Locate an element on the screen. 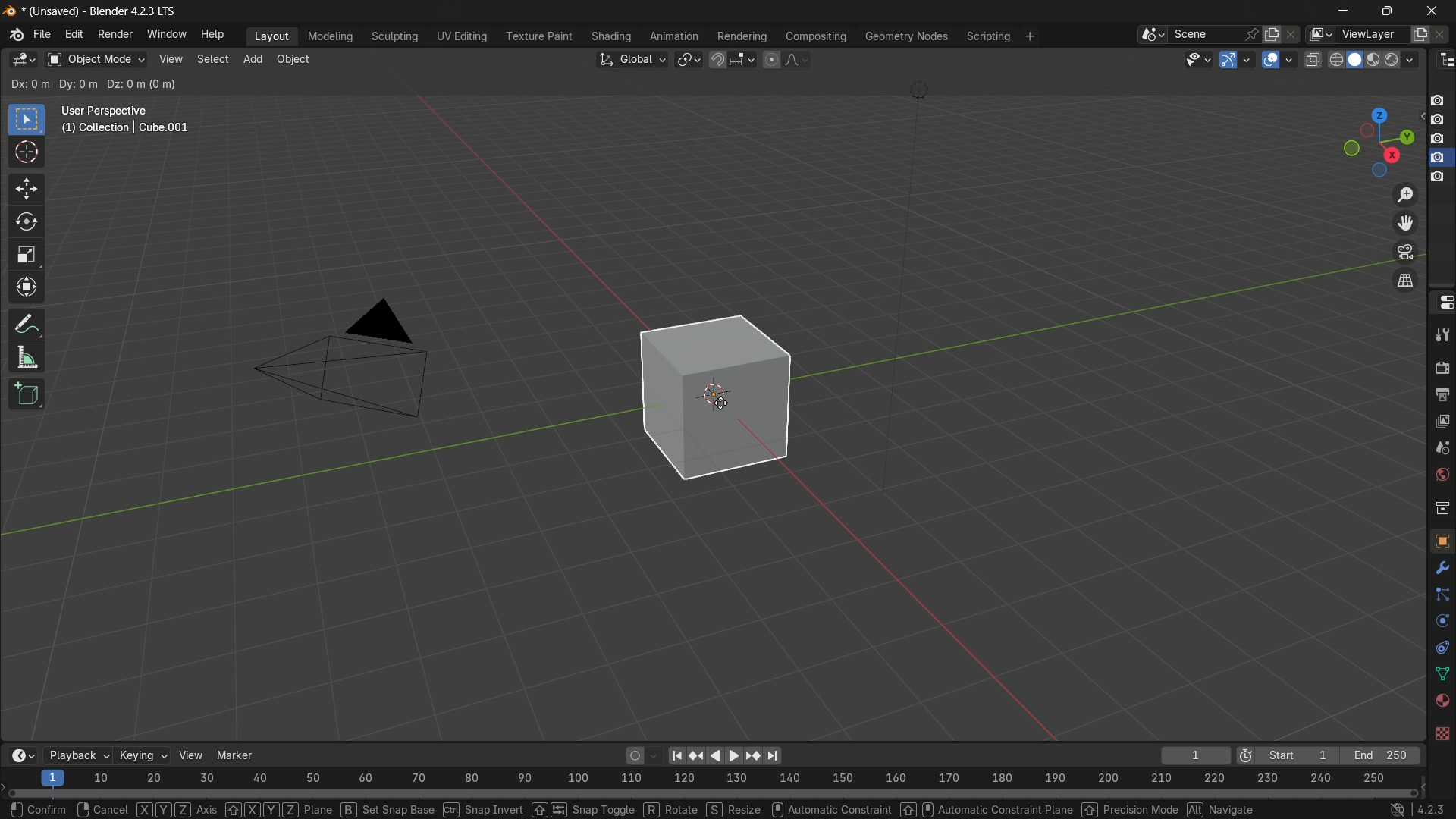 The height and width of the screenshot is (819, 1456). auto keying is located at coordinates (632, 758).